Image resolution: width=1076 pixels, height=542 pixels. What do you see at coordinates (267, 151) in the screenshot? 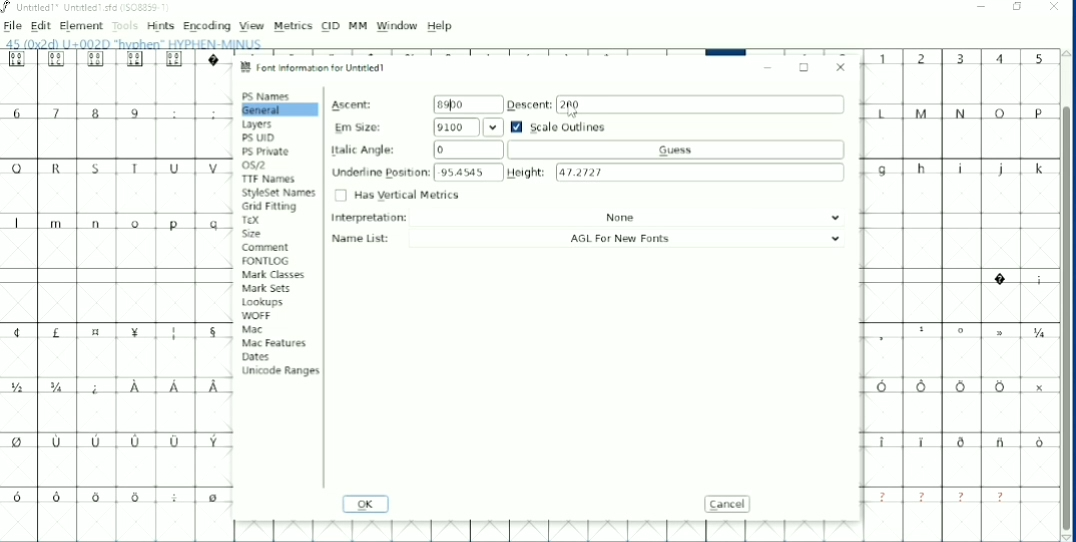
I see `PS Private` at bounding box center [267, 151].